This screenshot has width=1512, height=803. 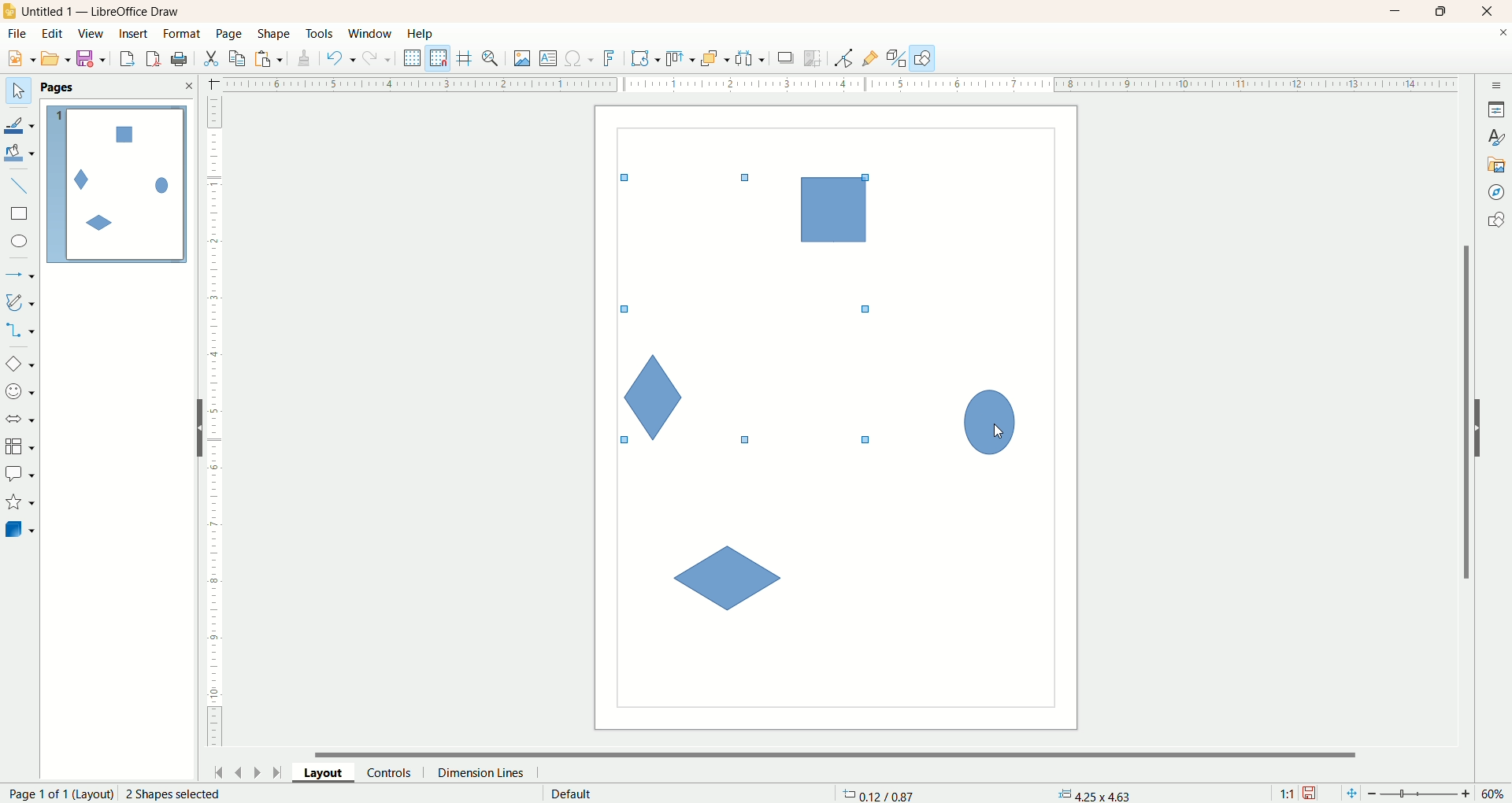 I want to click on minimize, so click(x=1396, y=11).